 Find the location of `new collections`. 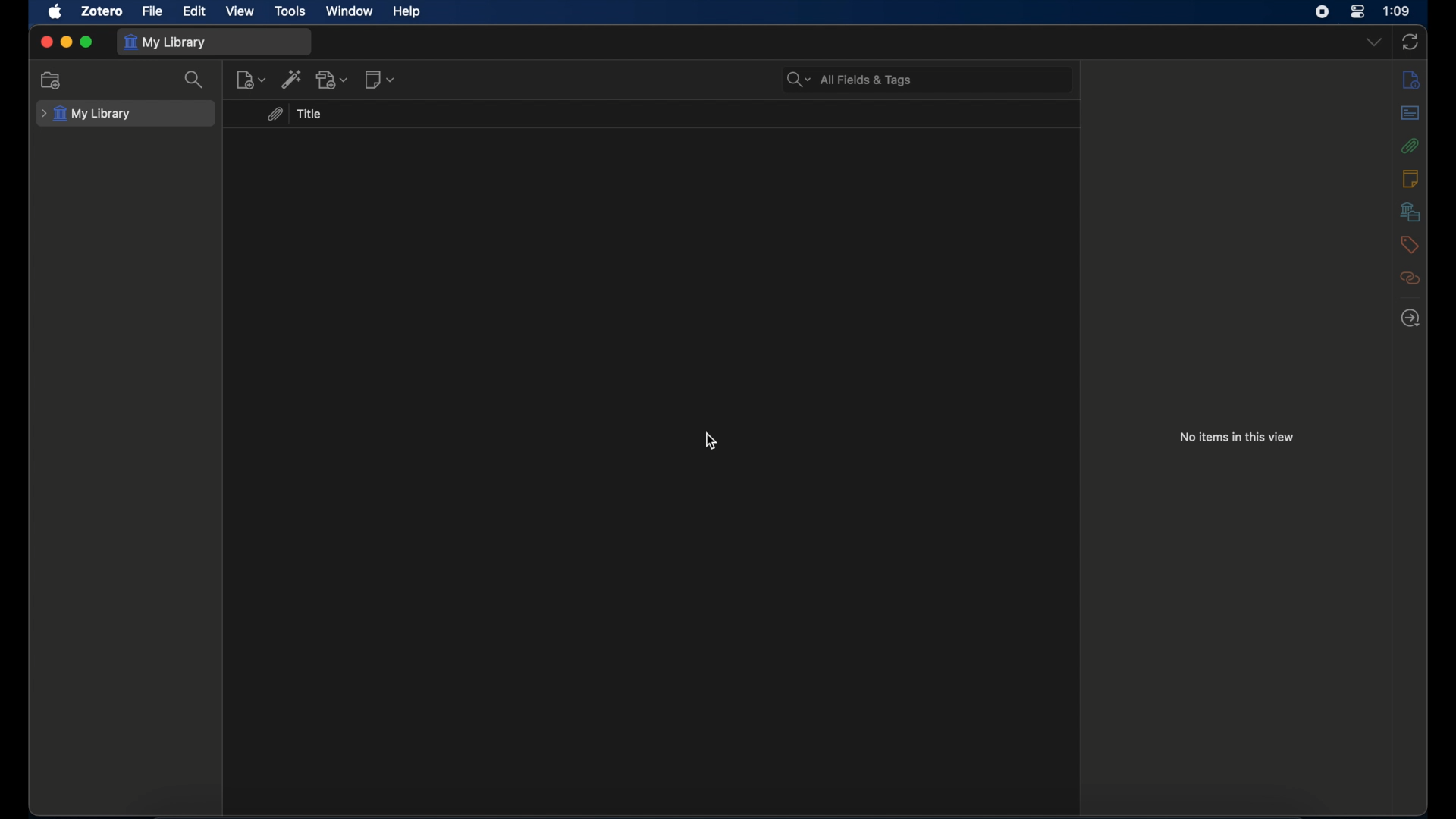

new collections is located at coordinates (53, 80).